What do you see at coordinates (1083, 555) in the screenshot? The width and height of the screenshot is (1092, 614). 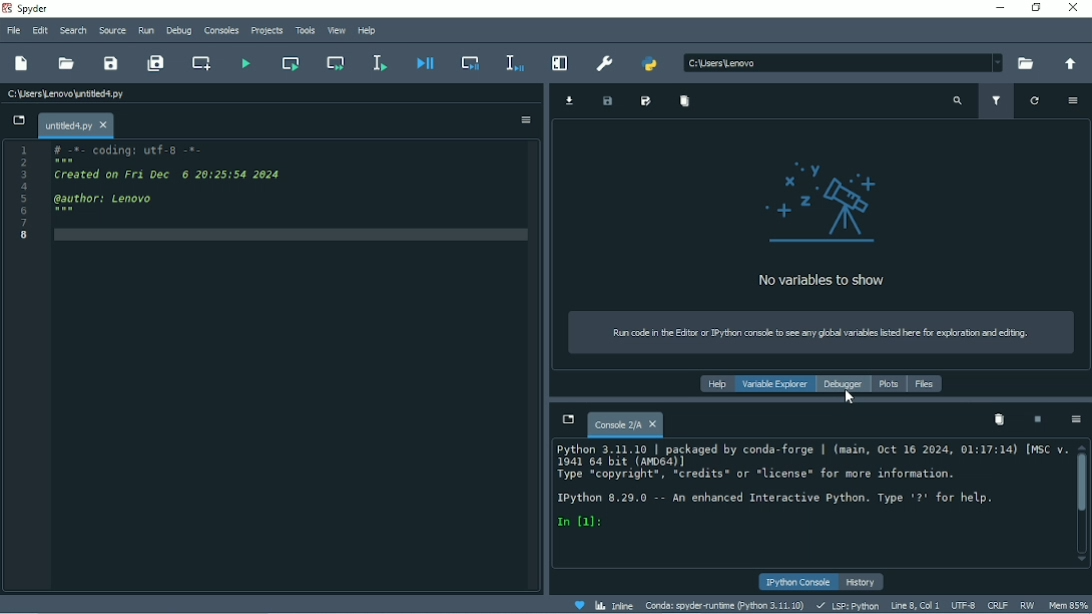 I see `scroll down` at bounding box center [1083, 555].